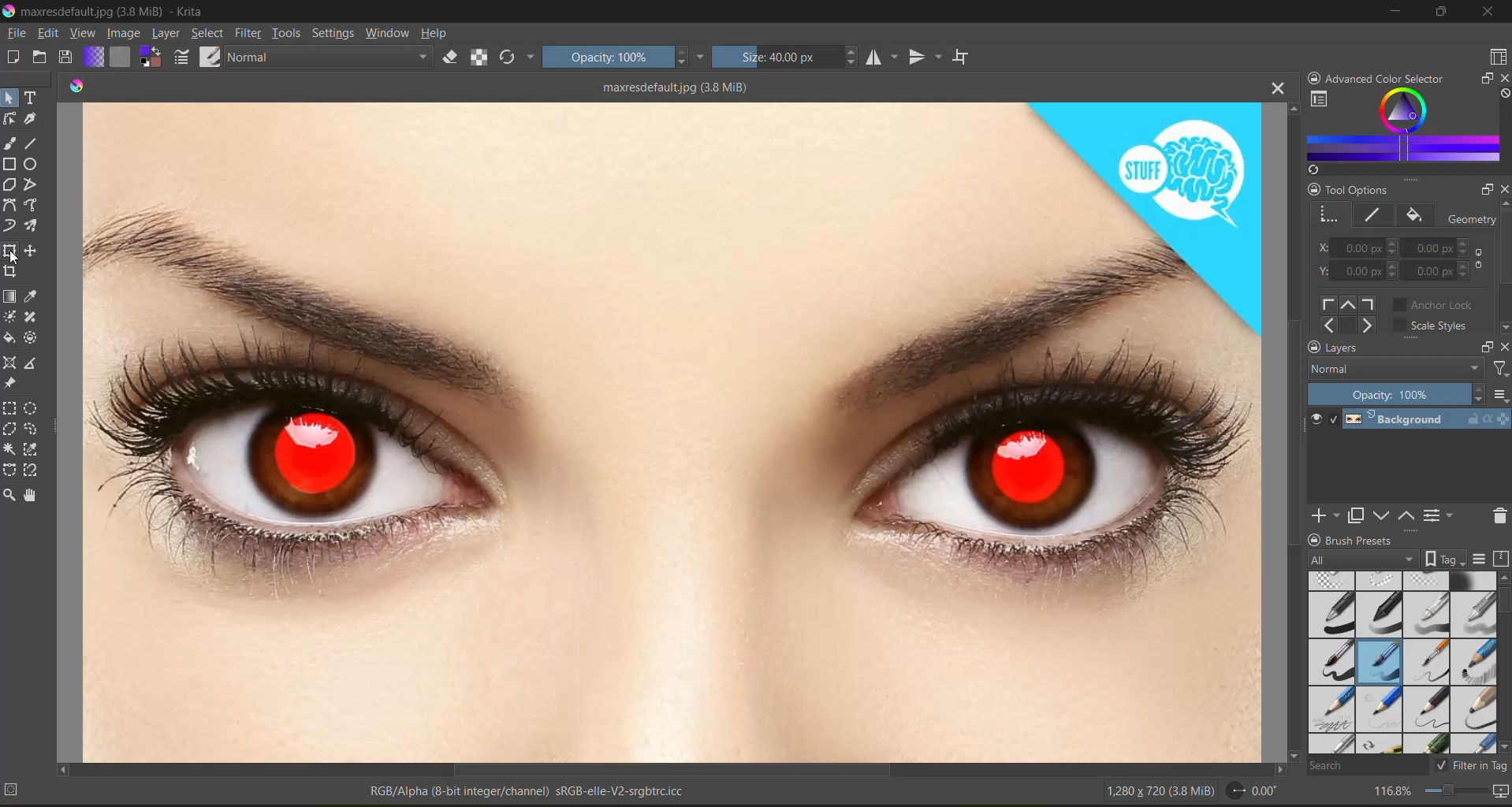 This screenshot has height=807, width=1512. What do you see at coordinates (1365, 767) in the screenshot?
I see `search` at bounding box center [1365, 767].